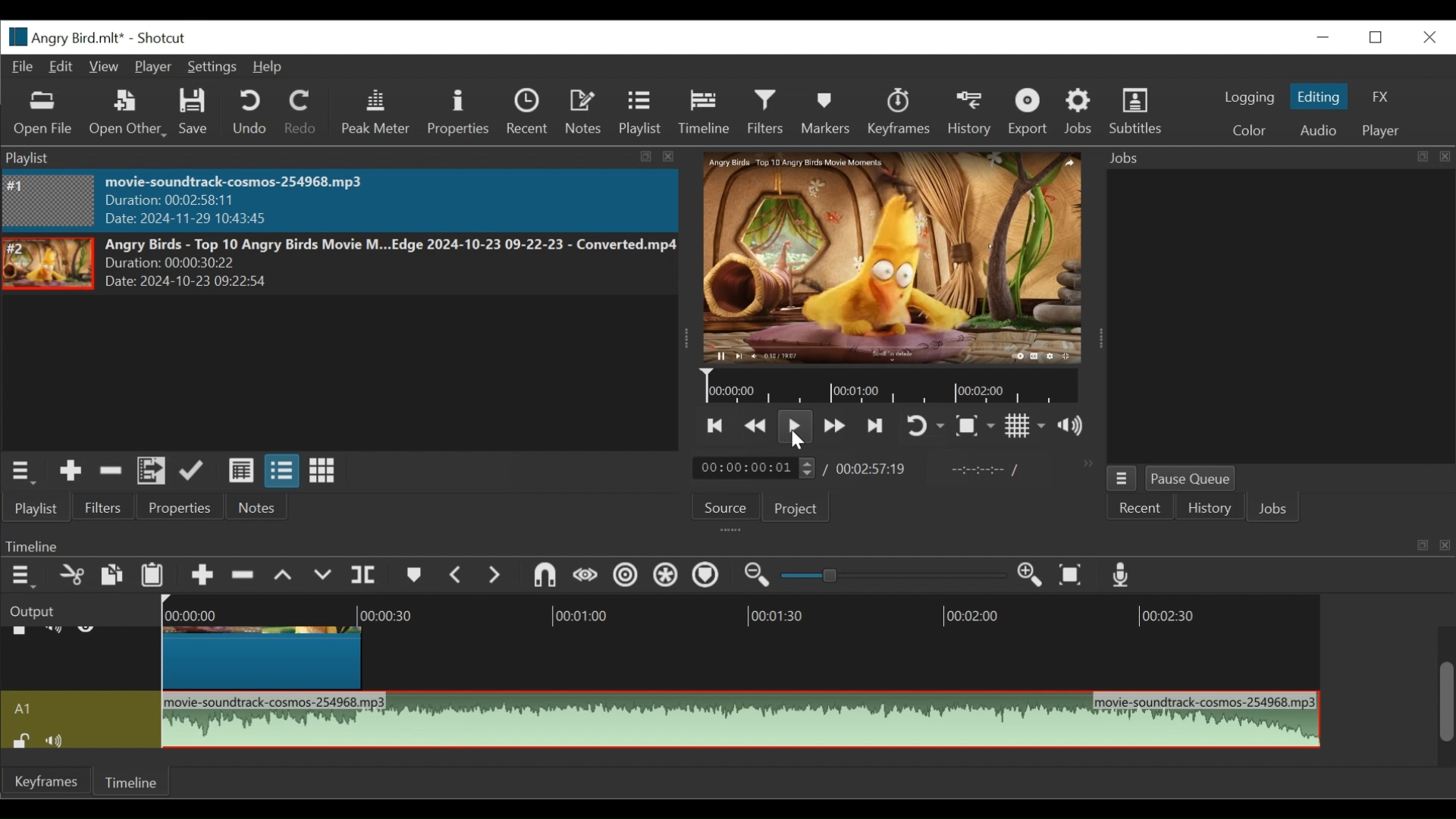 The width and height of the screenshot is (1456, 819). What do you see at coordinates (968, 113) in the screenshot?
I see `History` at bounding box center [968, 113].